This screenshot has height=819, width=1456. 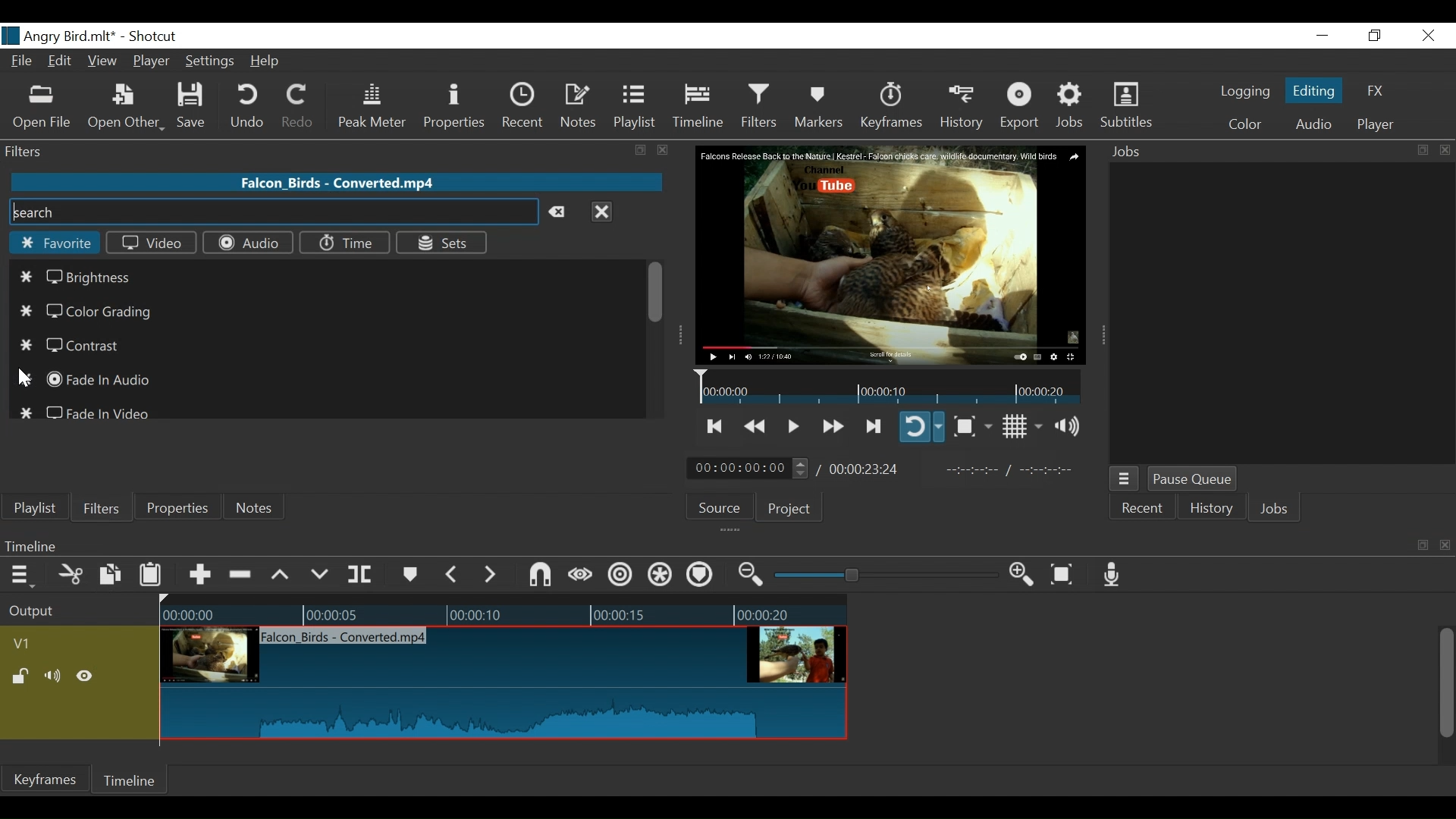 I want to click on Help, so click(x=270, y=61).